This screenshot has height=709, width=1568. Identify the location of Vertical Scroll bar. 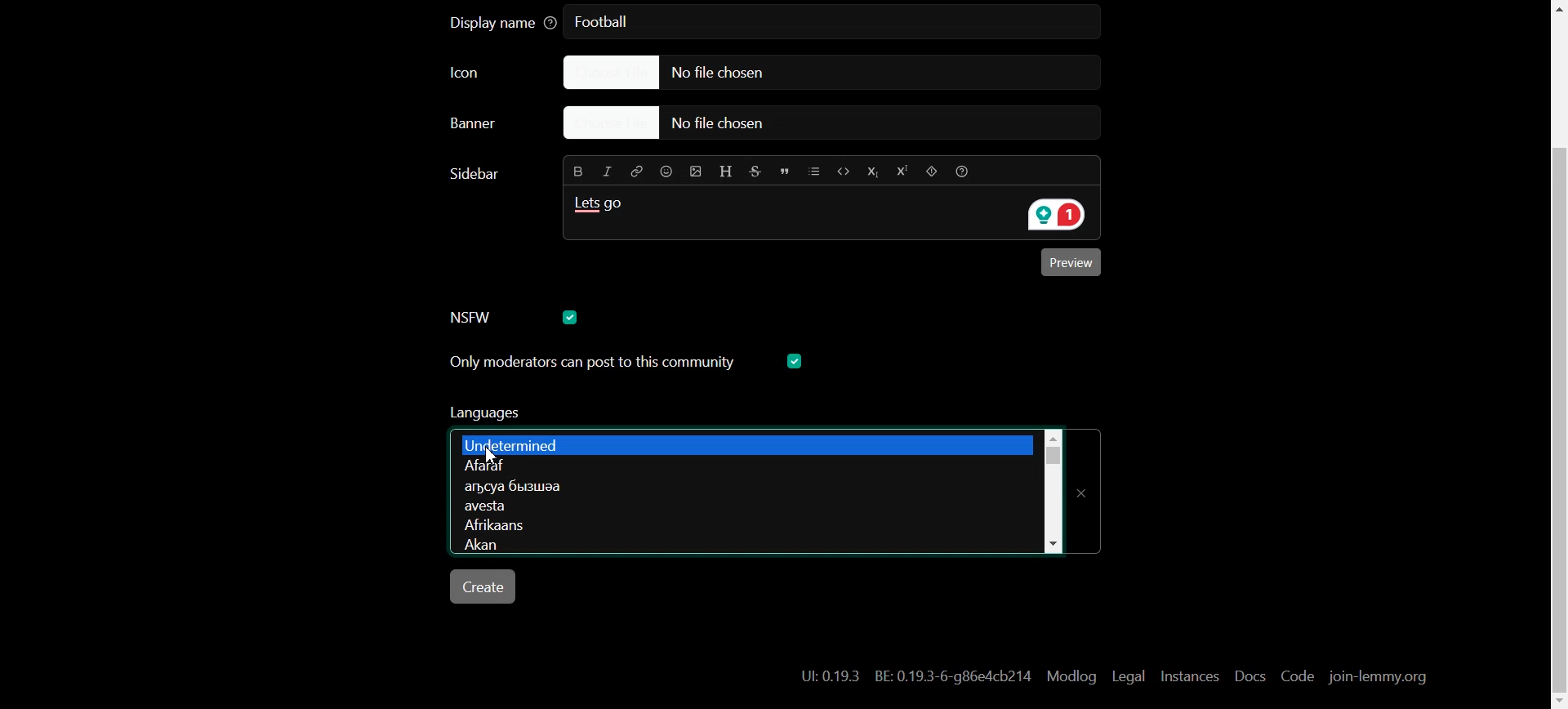
(1555, 354).